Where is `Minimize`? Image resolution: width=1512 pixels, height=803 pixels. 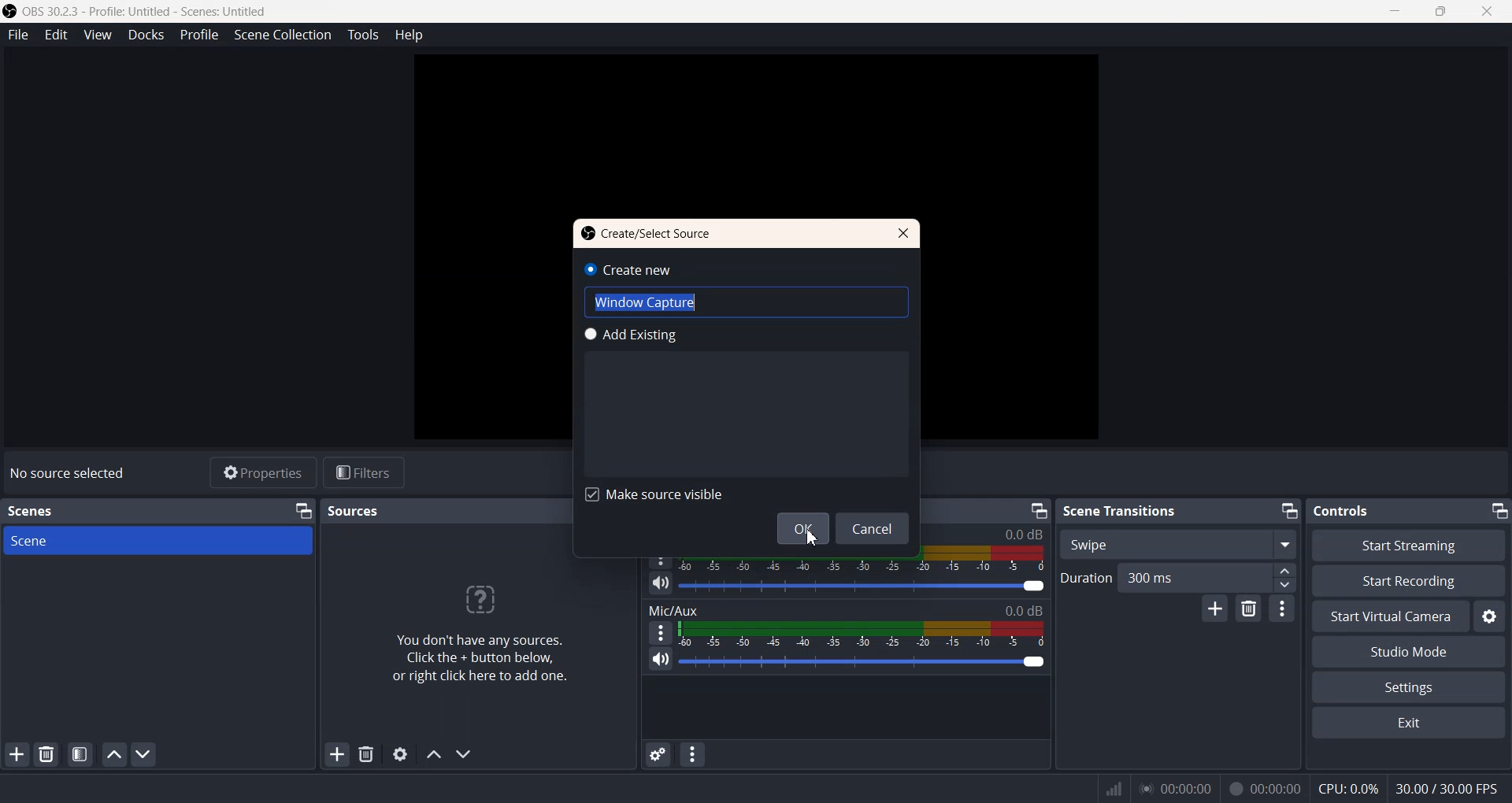 Minimize is located at coordinates (1398, 12).